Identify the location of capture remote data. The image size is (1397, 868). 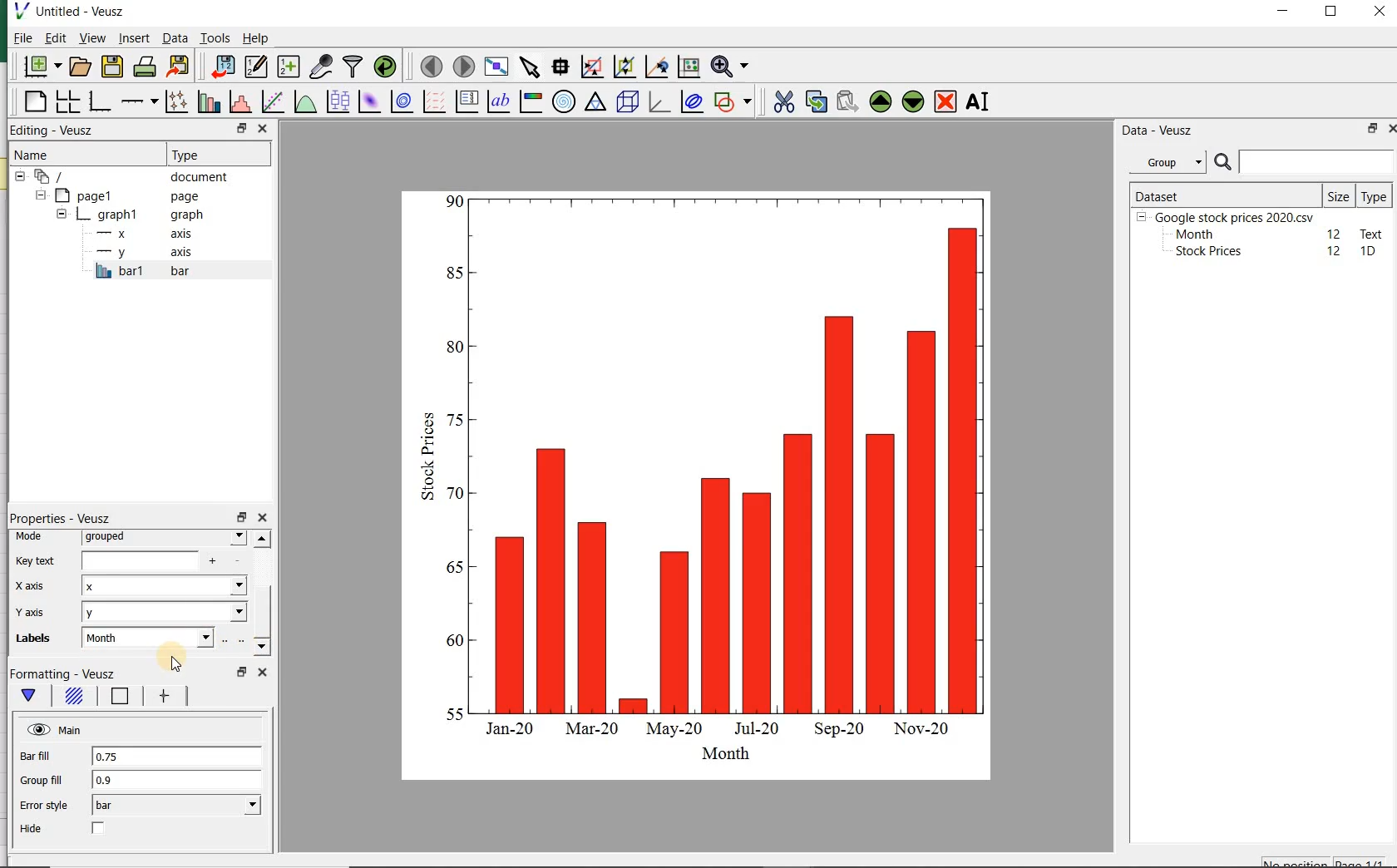
(321, 67).